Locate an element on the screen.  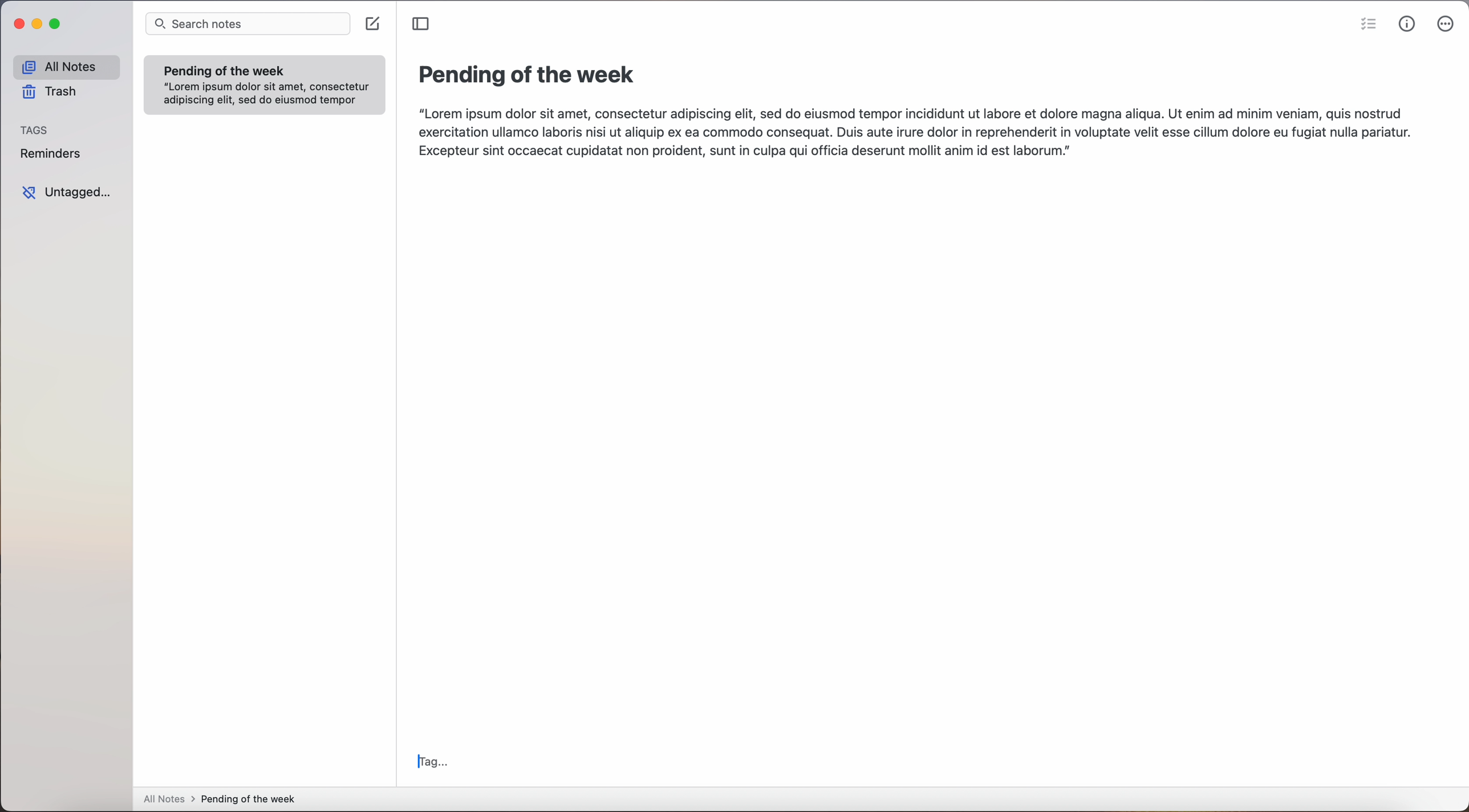
search notes is located at coordinates (249, 25).